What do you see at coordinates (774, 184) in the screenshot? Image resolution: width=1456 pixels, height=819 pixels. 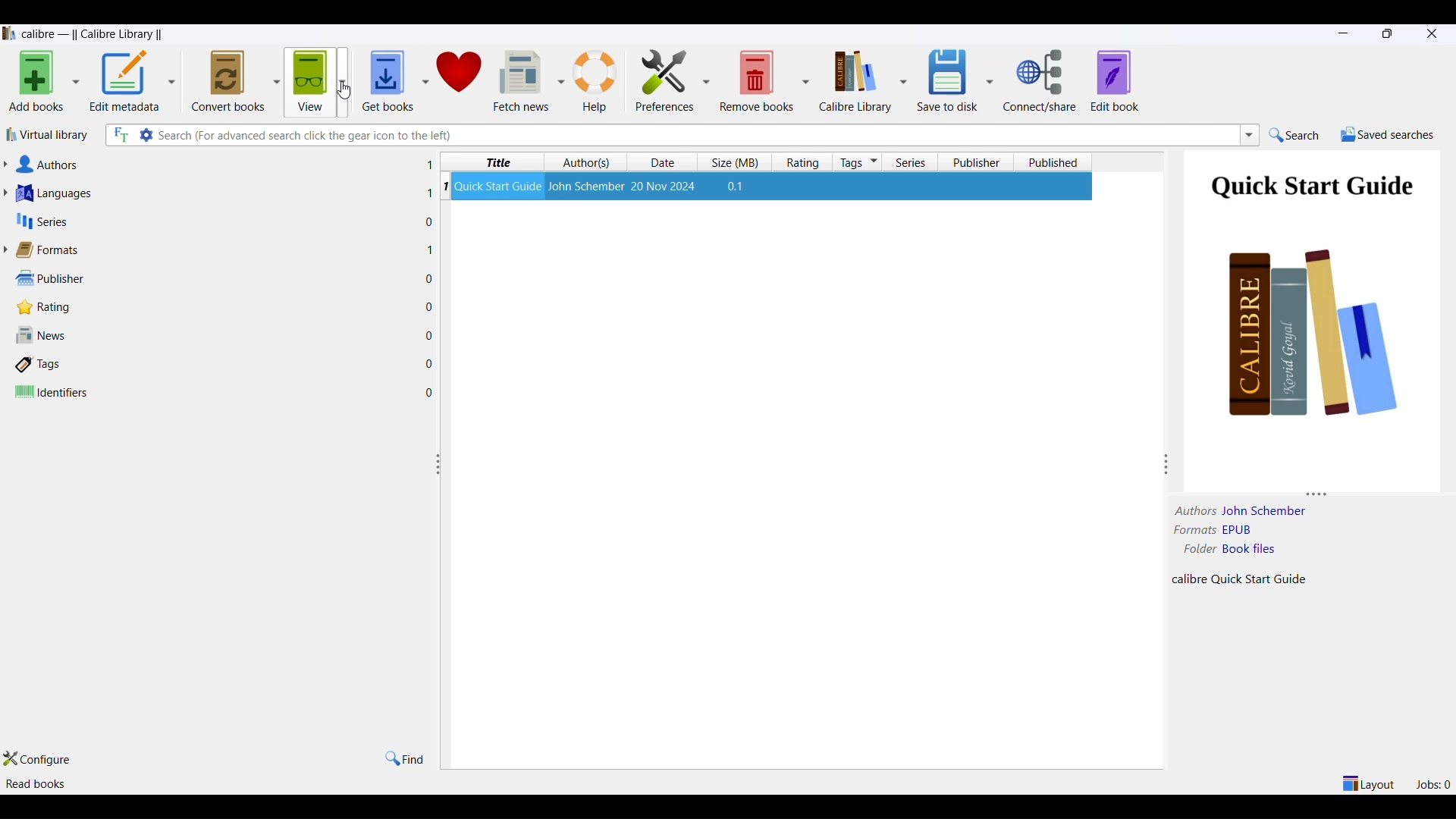 I see `Quick start guide` at bounding box center [774, 184].